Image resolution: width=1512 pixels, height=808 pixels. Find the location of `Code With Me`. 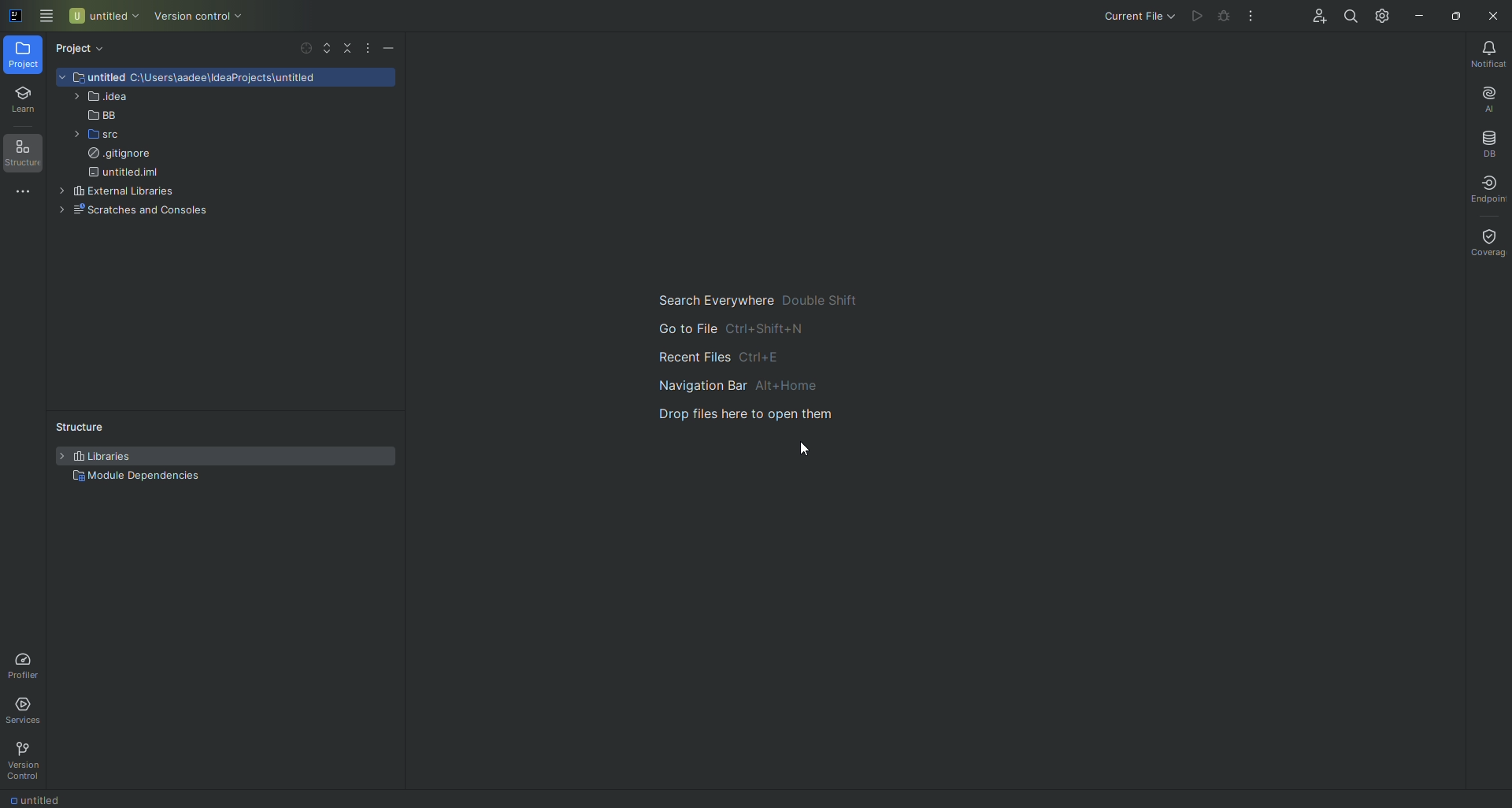

Code With Me is located at coordinates (1310, 17).